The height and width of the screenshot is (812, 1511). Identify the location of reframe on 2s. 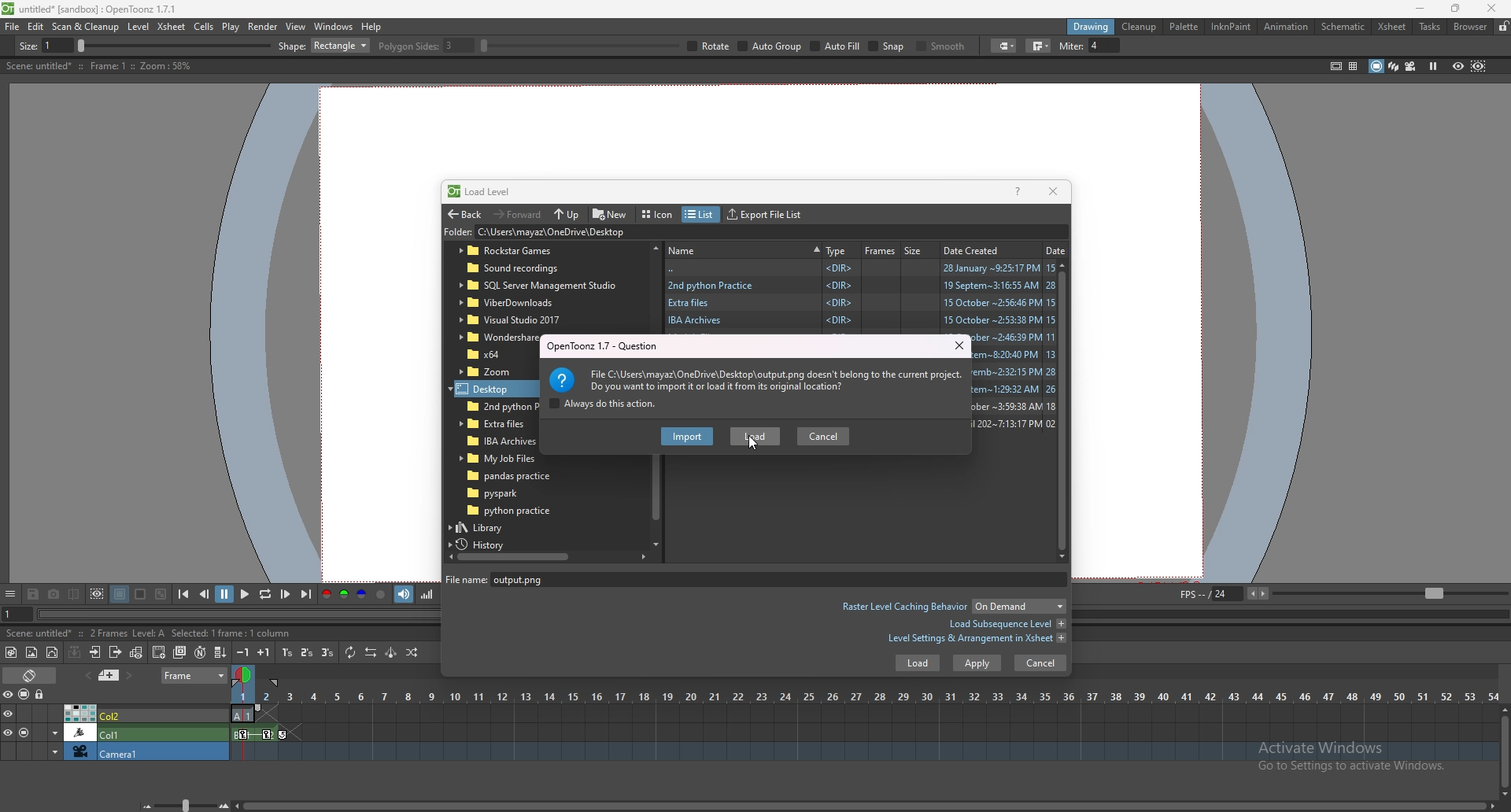
(308, 654).